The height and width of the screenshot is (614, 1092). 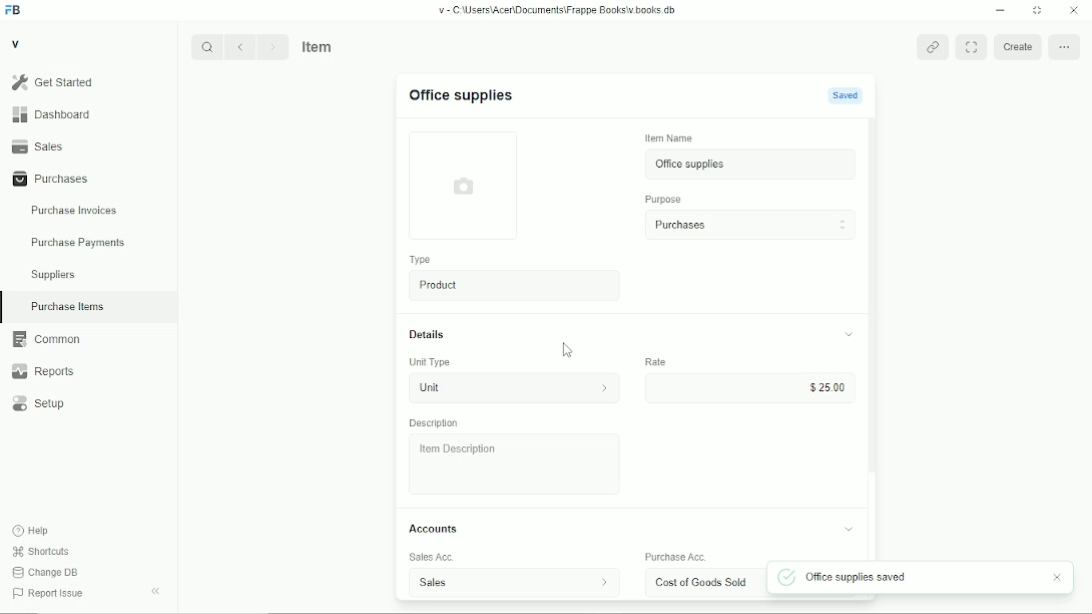 What do you see at coordinates (750, 225) in the screenshot?
I see `purchases` at bounding box center [750, 225].